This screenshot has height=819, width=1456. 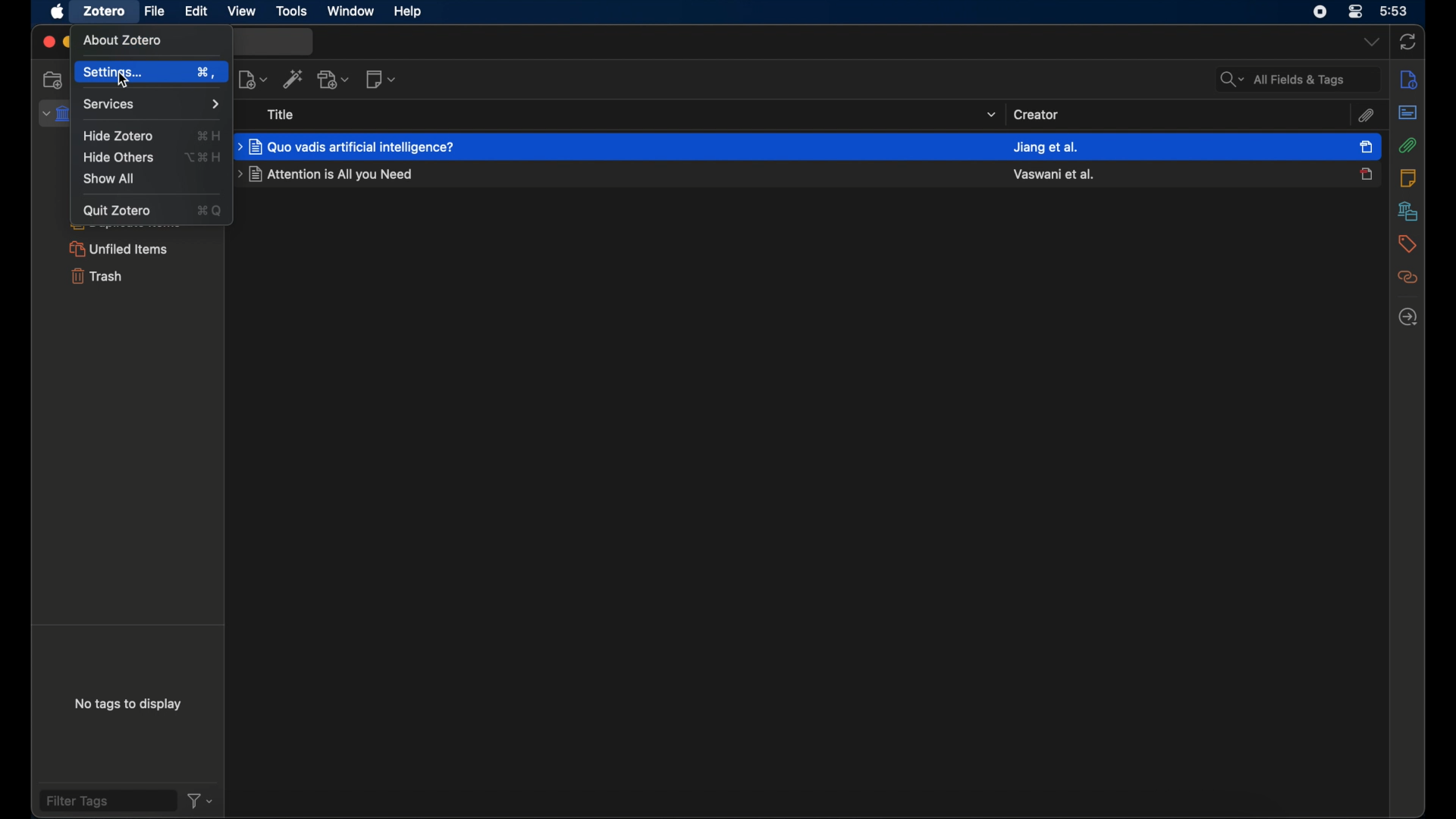 What do you see at coordinates (127, 704) in the screenshot?
I see `no tags to display` at bounding box center [127, 704].